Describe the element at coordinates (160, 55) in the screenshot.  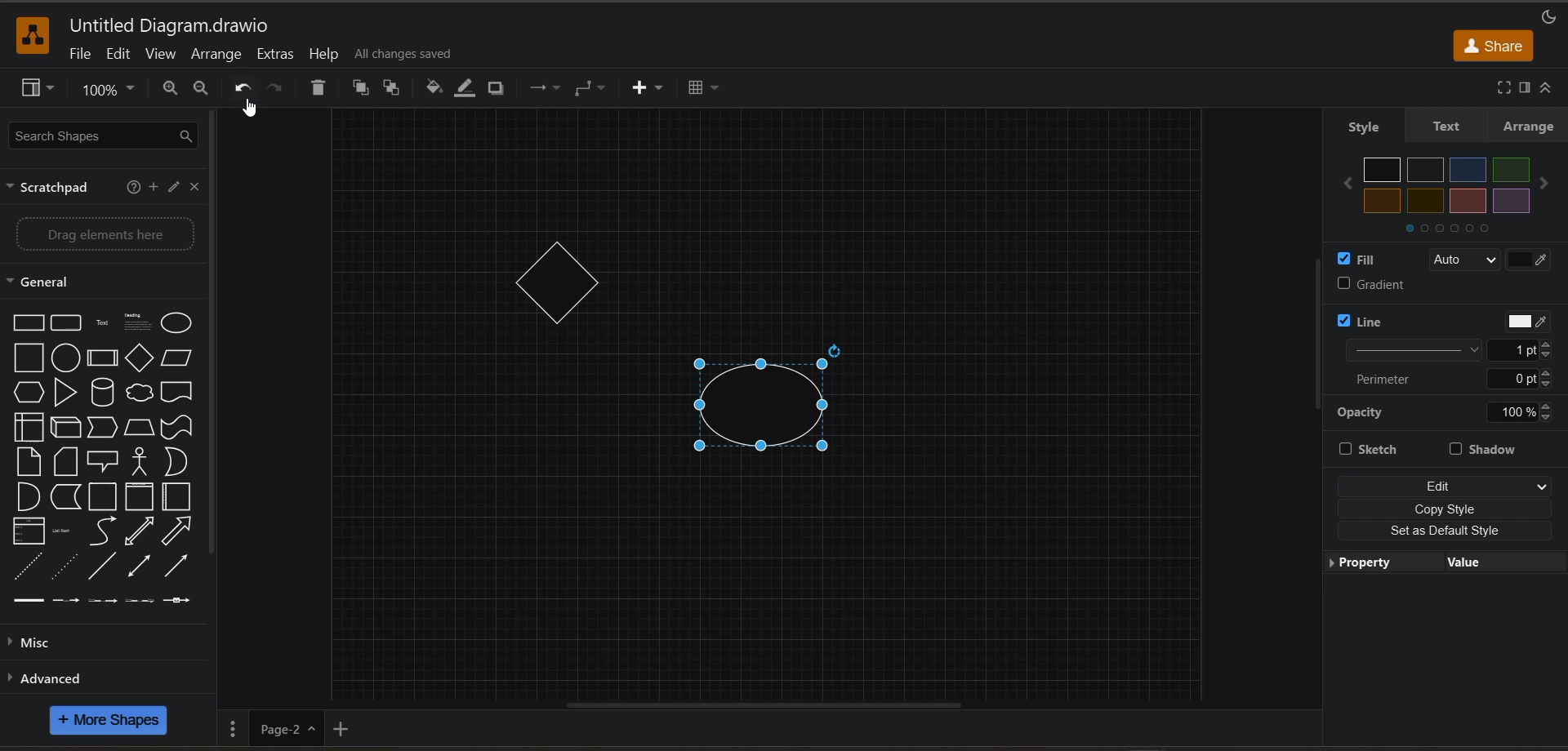
I see `view` at that location.